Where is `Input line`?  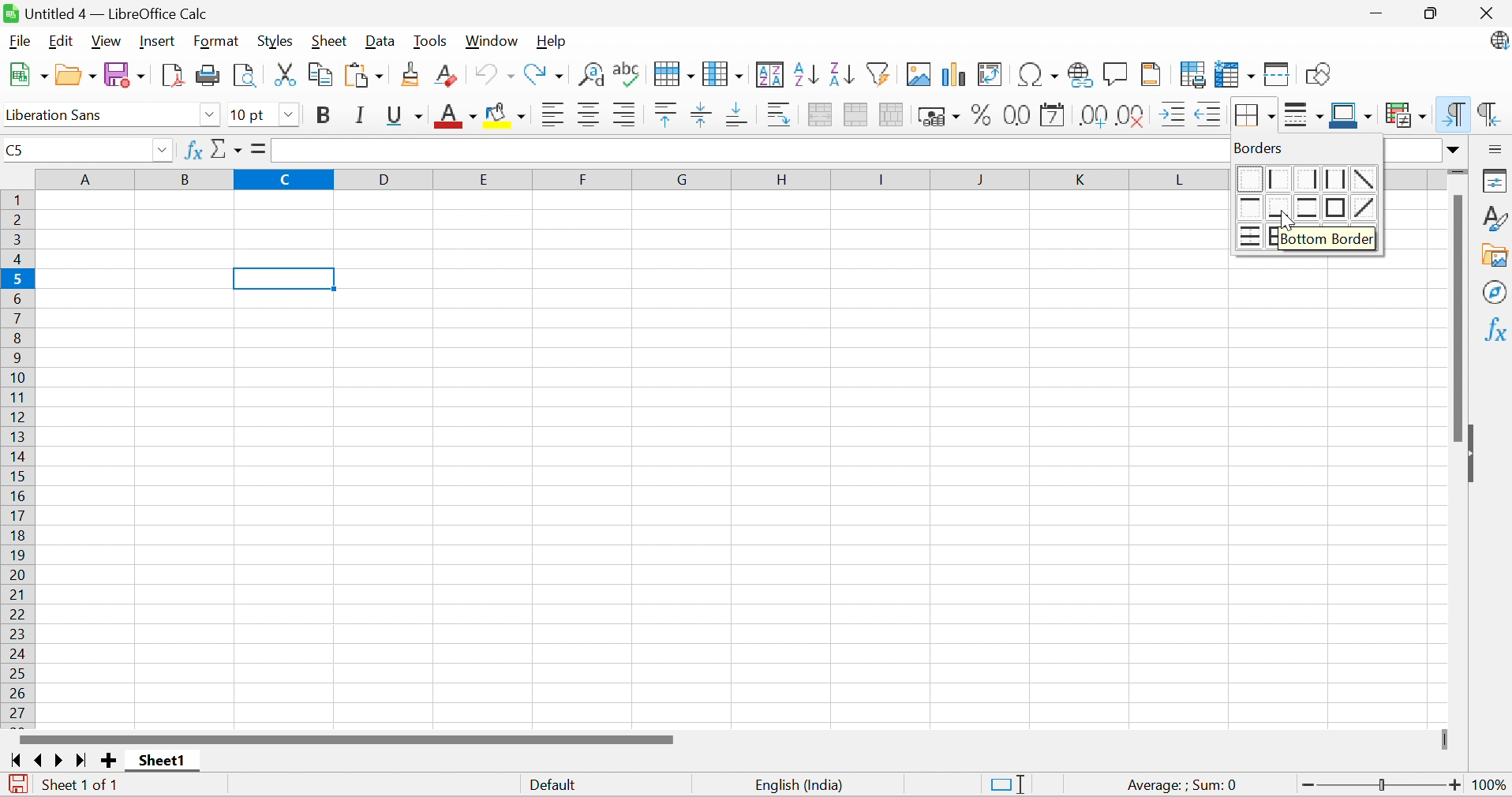
Input line is located at coordinates (750, 151).